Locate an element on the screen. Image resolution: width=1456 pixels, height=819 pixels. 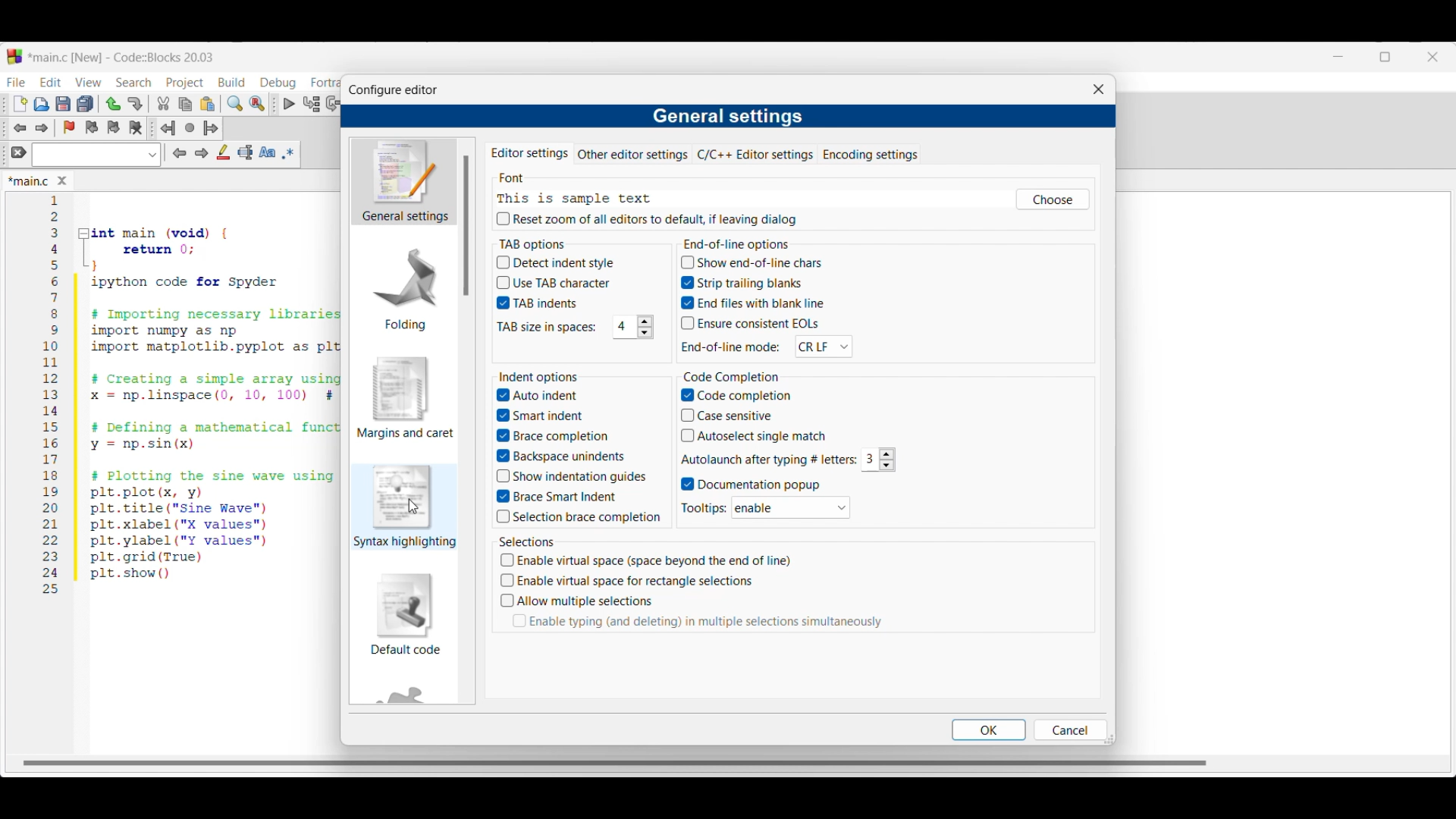
Project name, software name and version is located at coordinates (124, 57).